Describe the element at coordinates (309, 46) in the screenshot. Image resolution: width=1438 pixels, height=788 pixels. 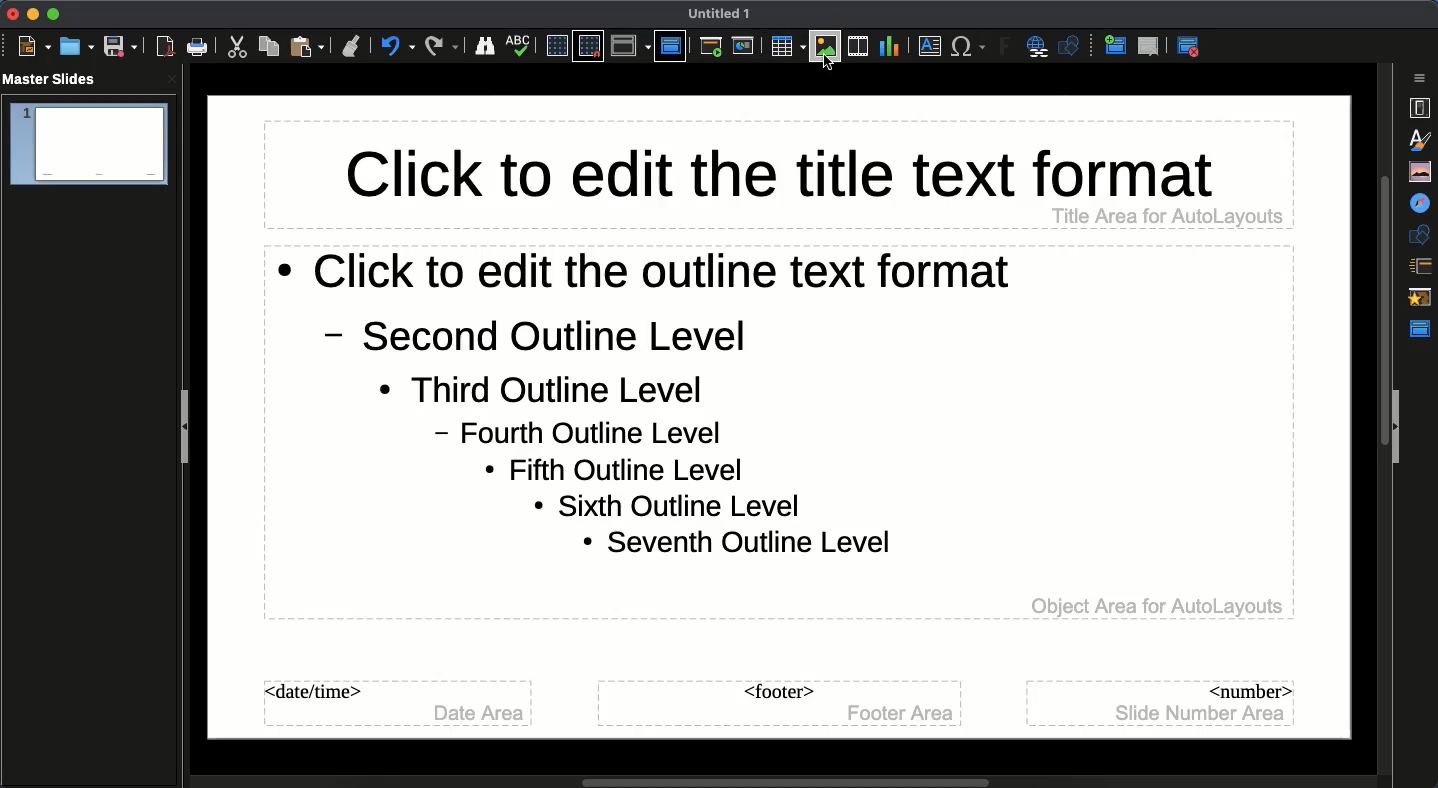
I see `Paste` at that location.